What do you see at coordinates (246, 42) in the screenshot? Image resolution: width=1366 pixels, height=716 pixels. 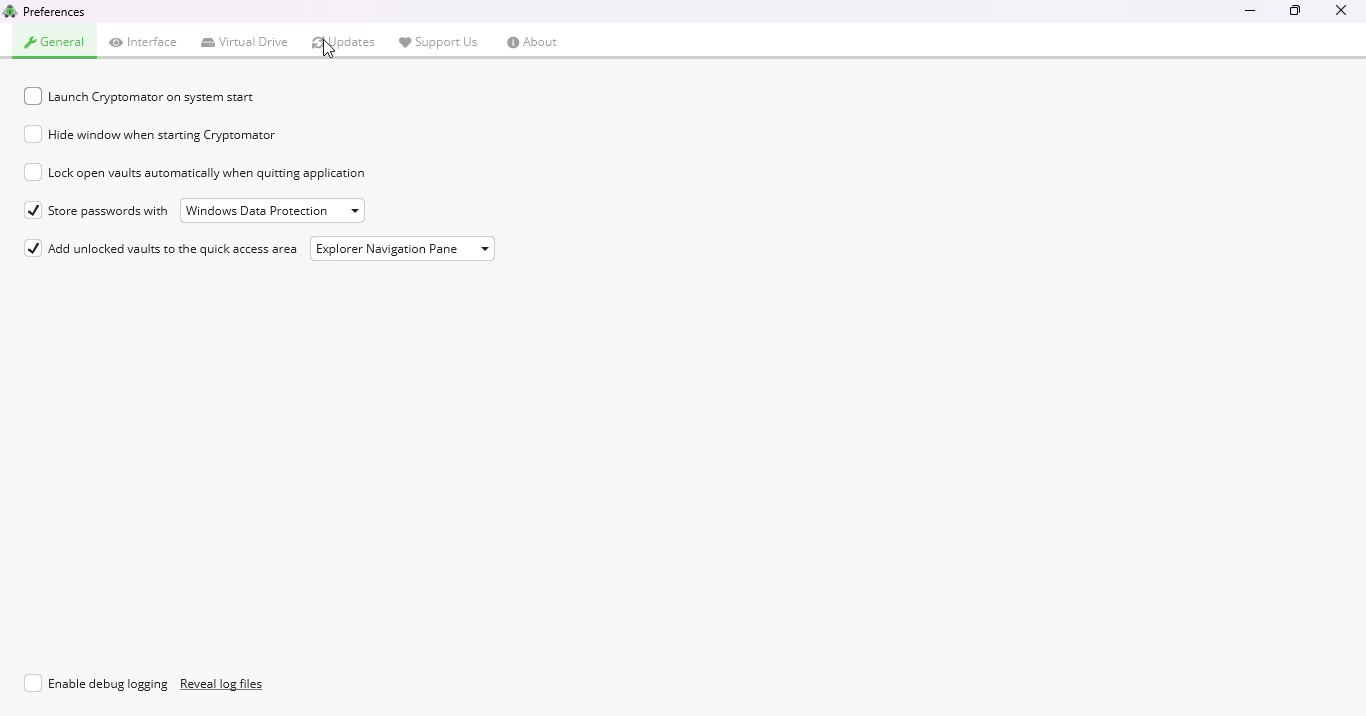 I see `virtual drive` at bounding box center [246, 42].